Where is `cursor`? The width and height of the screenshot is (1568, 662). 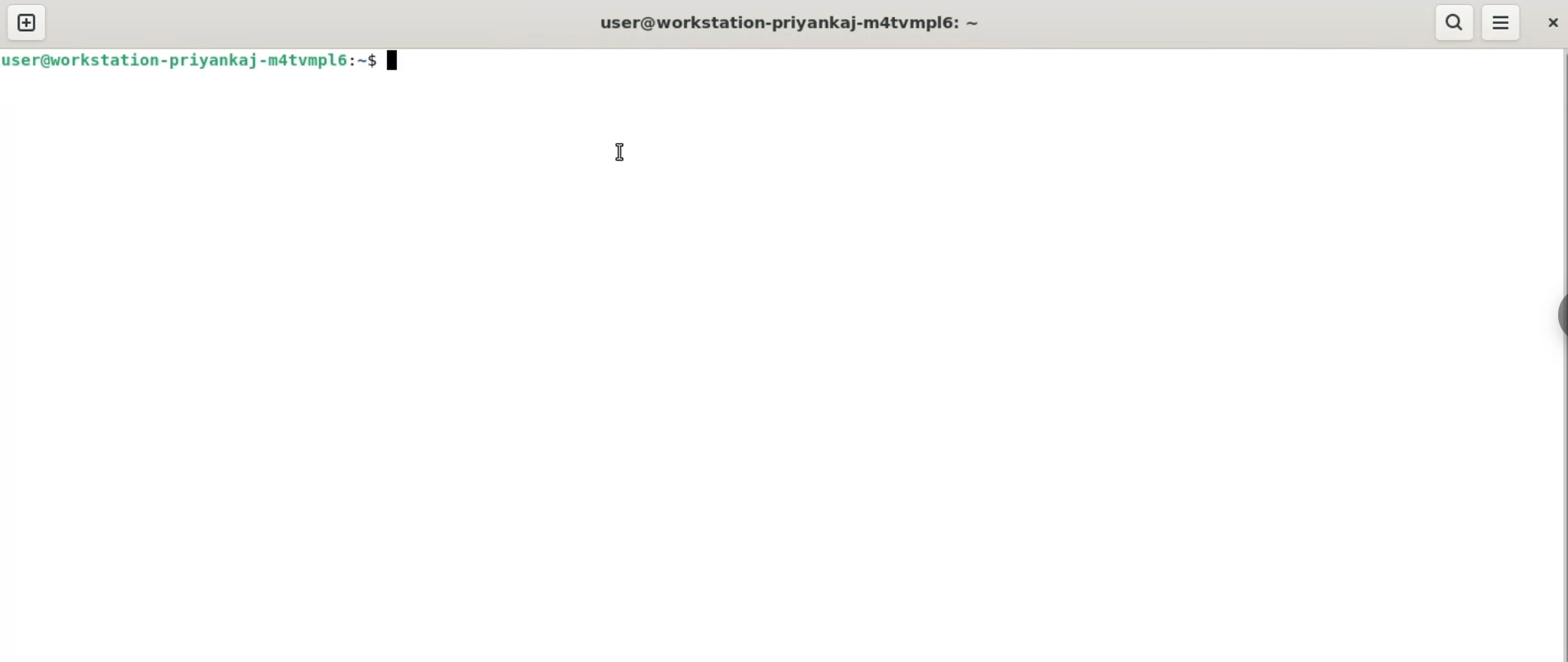
cursor is located at coordinates (619, 151).